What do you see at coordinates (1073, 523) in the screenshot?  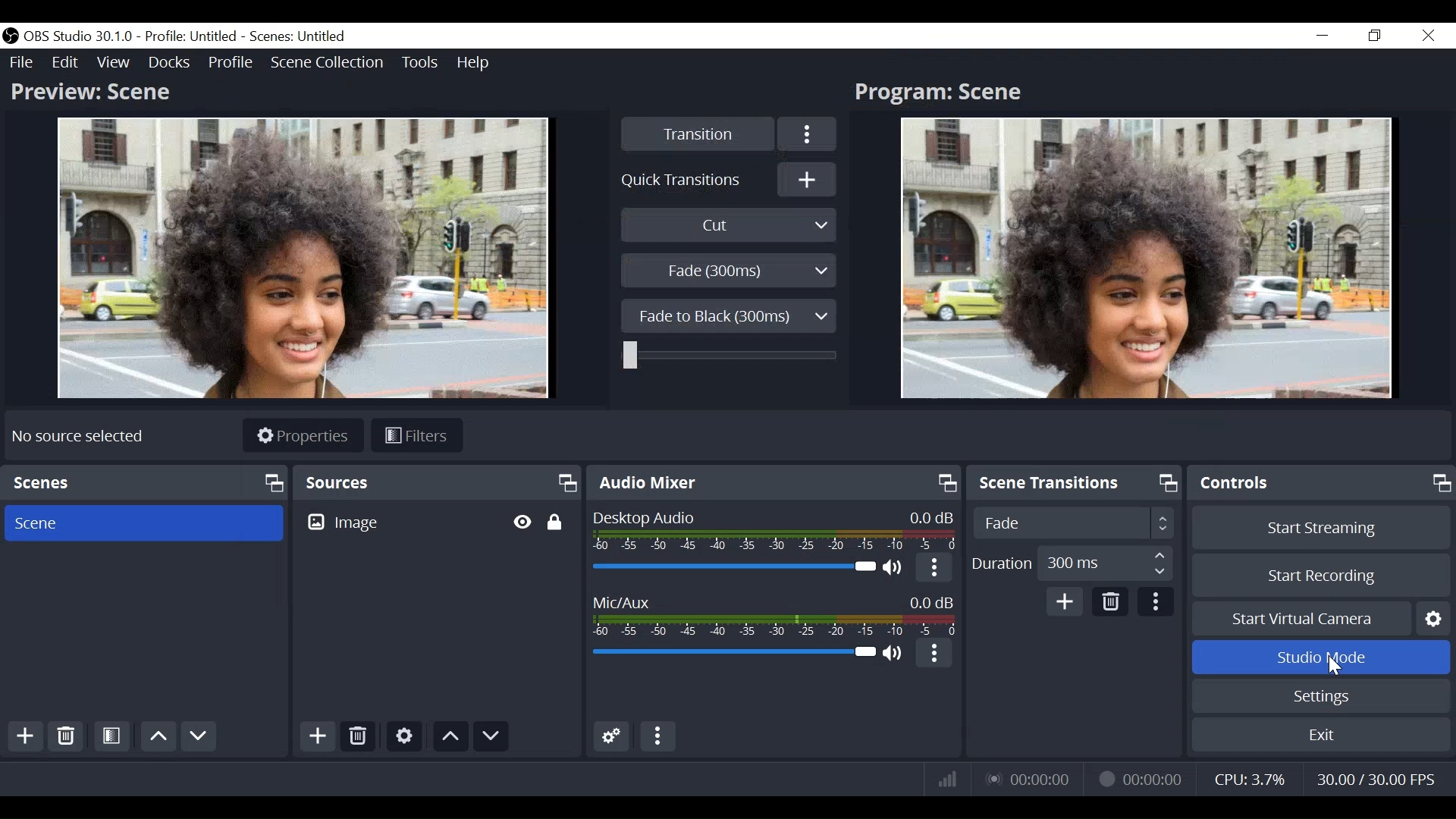 I see `Adjust Scene Transition` at bounding box center [1073, 523].